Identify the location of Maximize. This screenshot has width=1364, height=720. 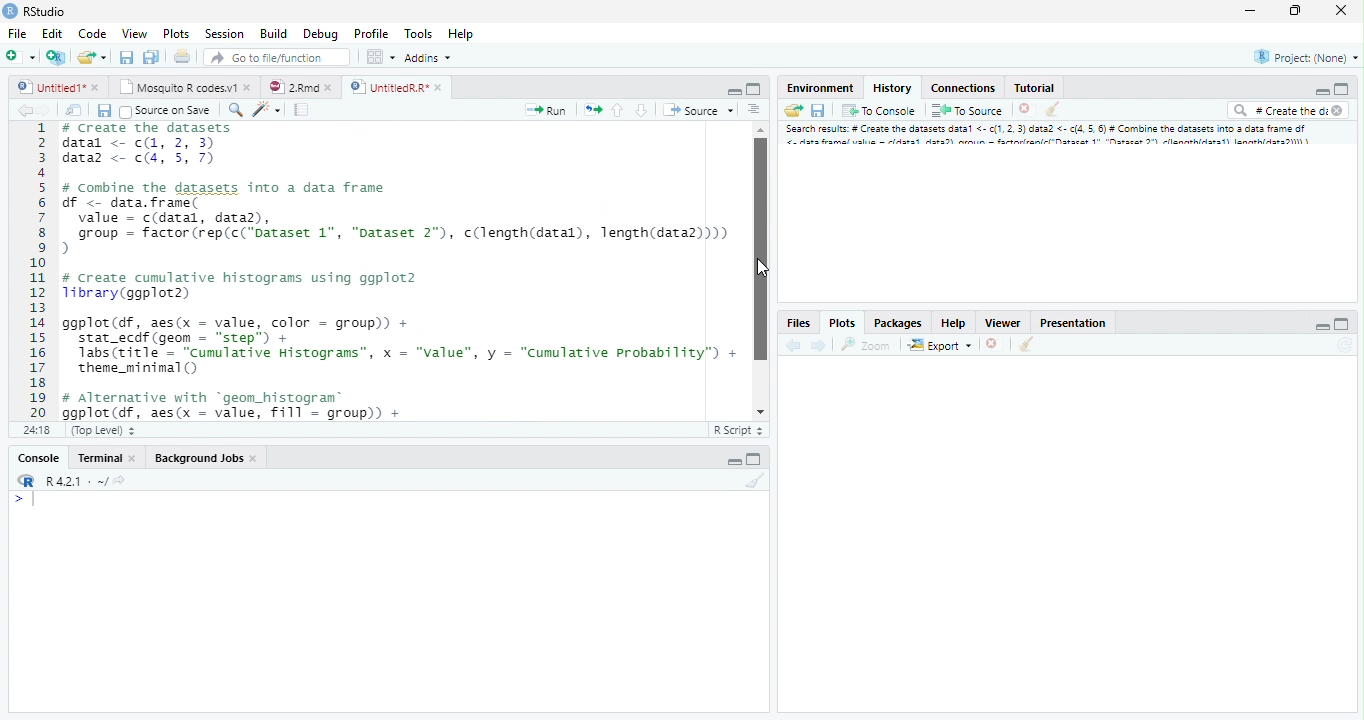
(1344, 323).